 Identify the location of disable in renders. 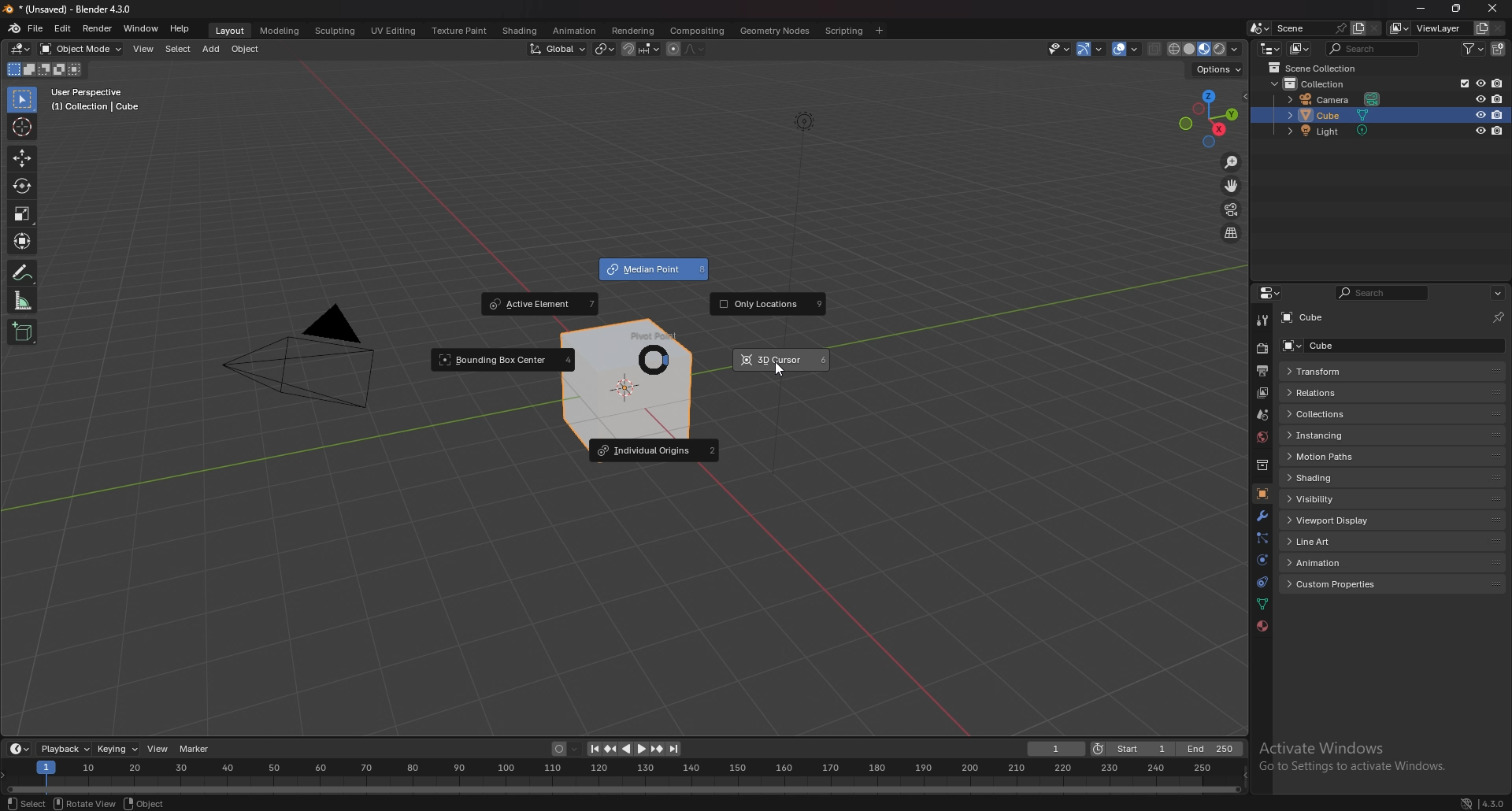
(1498, 83).